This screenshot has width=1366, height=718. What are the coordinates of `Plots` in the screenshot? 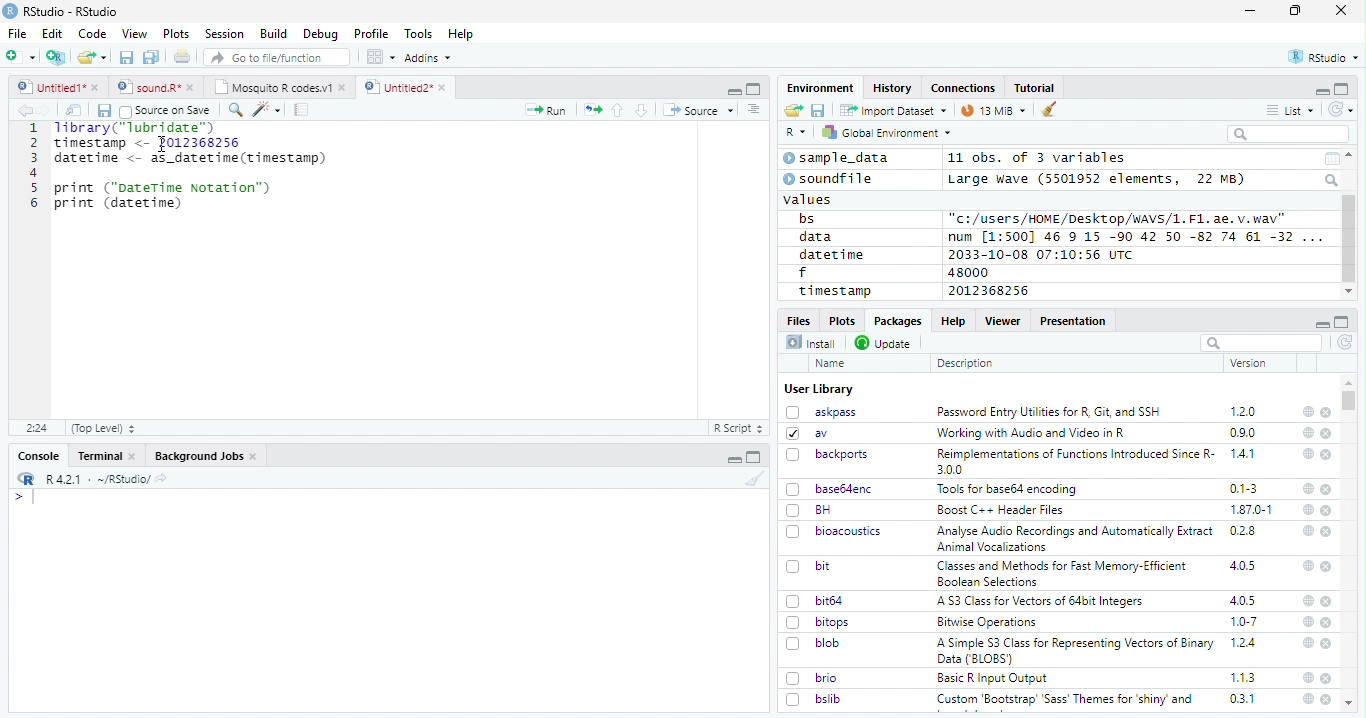 It's located at (176, 34).